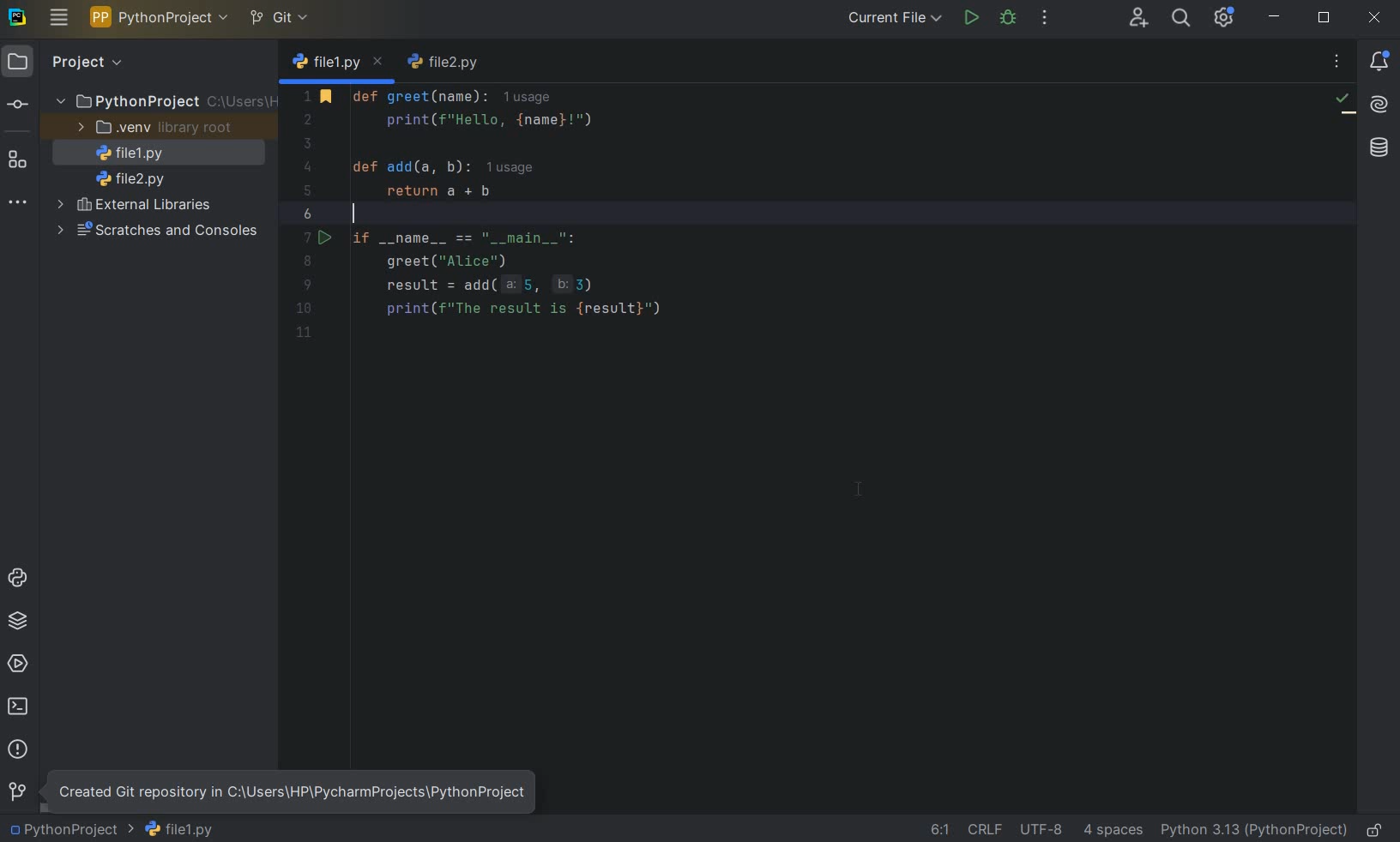  Describe the element at coordinates (125, 153) in the screenshot. I see `file name 1` at that location.